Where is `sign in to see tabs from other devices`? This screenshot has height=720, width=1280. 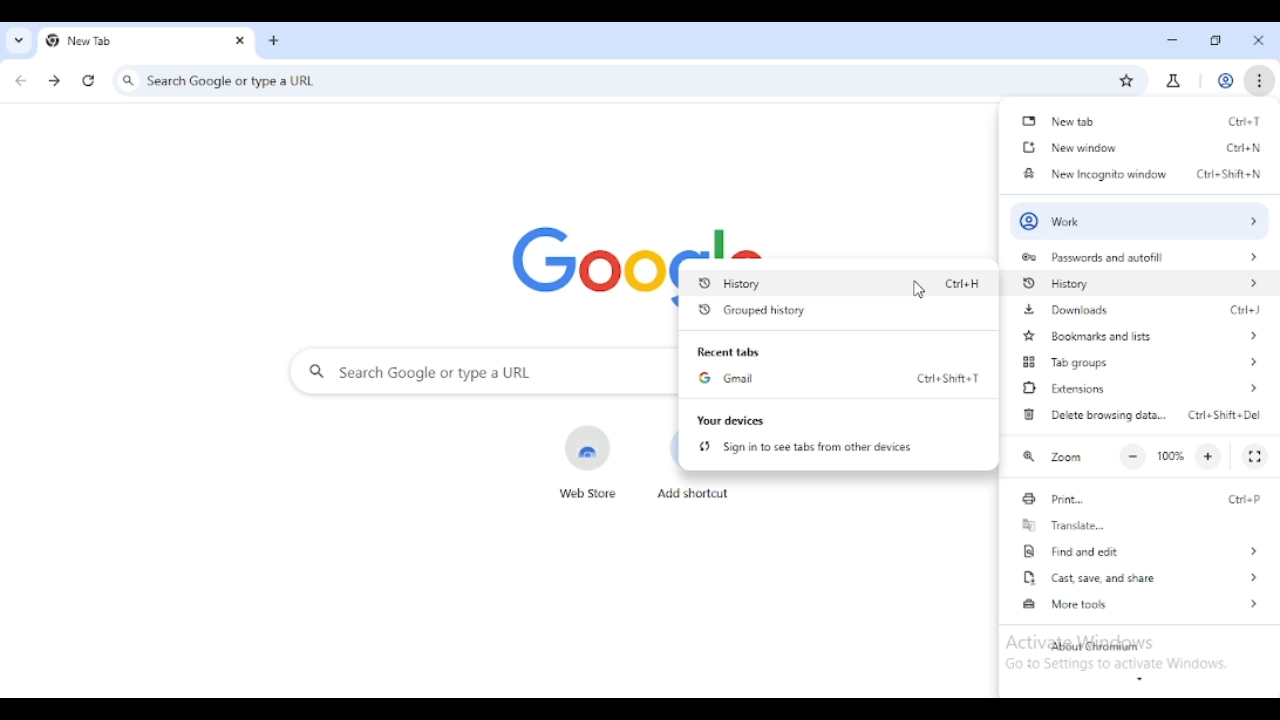 sign in to see tabs from other devices is located at coordinates (806, 447).